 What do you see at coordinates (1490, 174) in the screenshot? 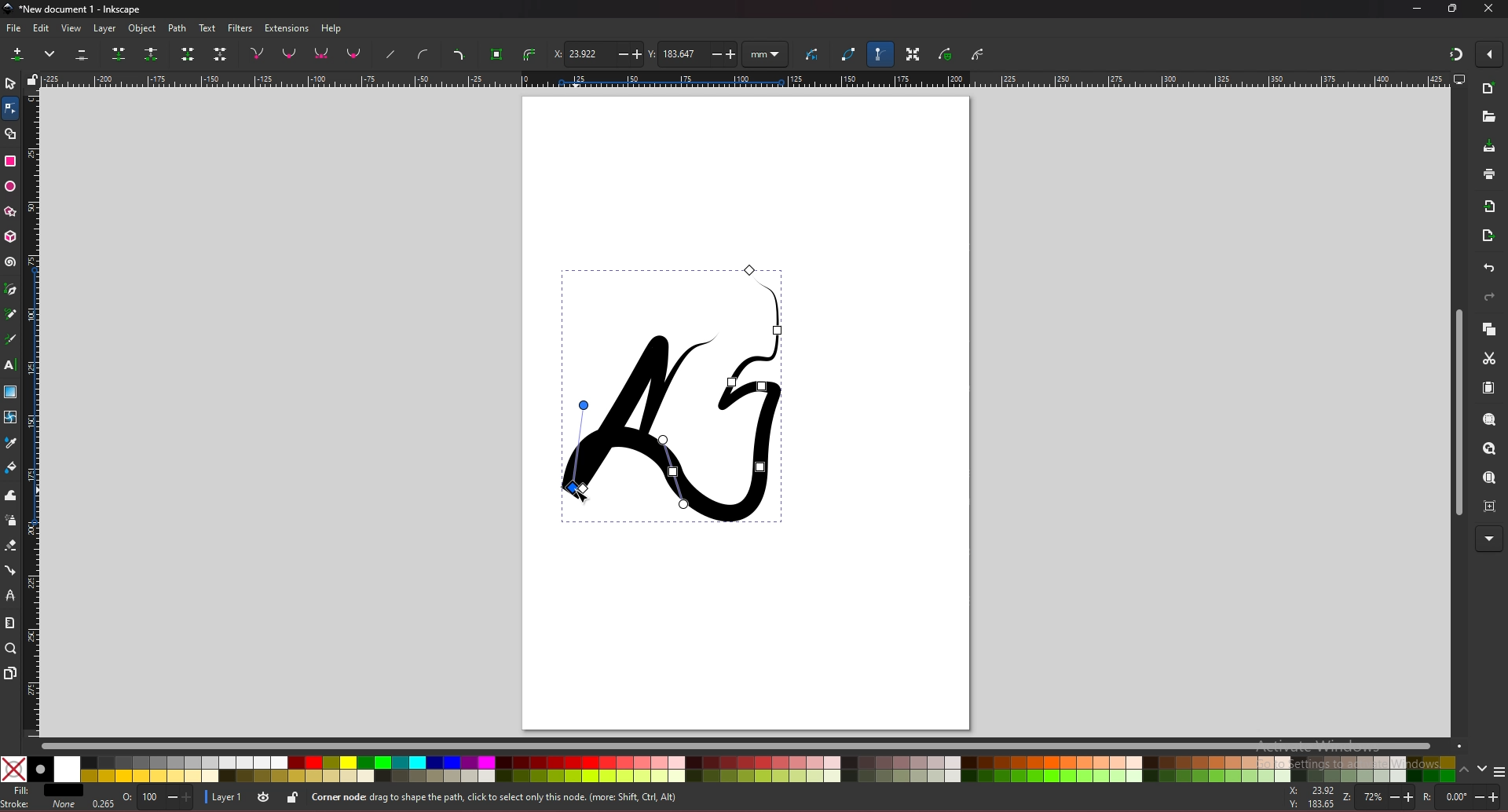
I see `print` at bounding box center [1490, 174].